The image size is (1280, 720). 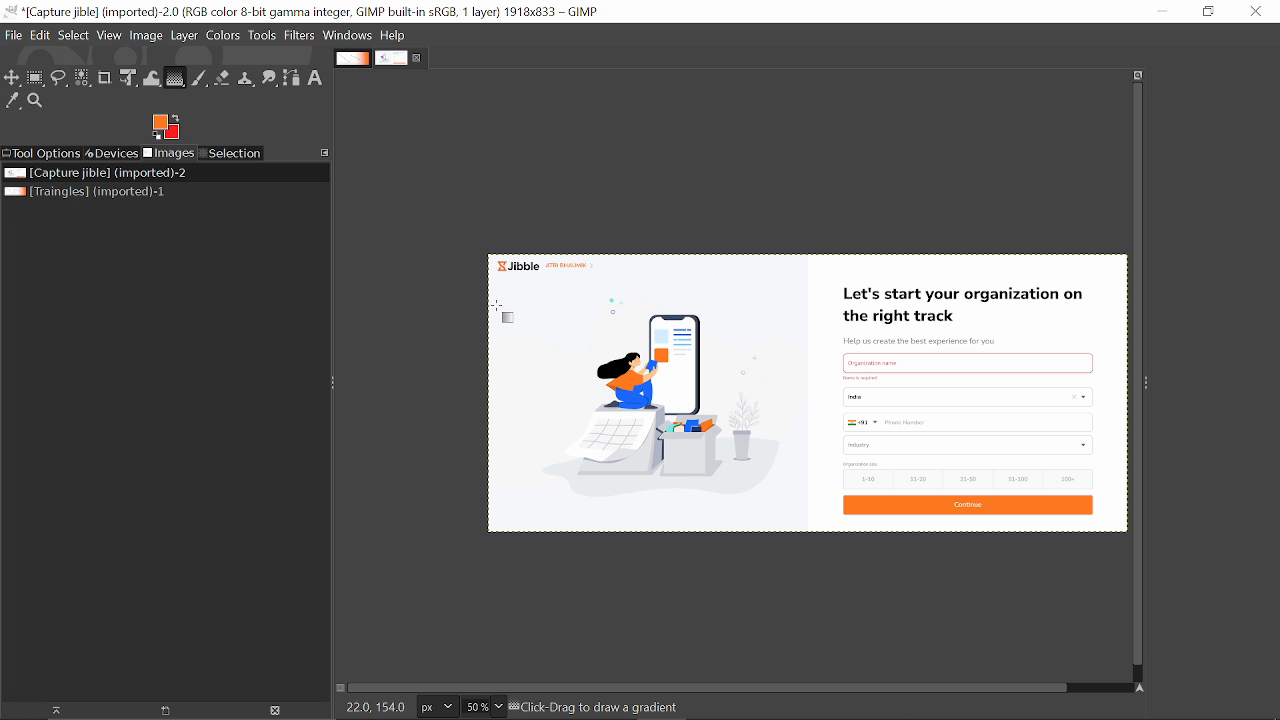 What do you see at coordinates (383, 705) in the screenshot?
I see `22.0 154.0` at bounding box center [383, 705].